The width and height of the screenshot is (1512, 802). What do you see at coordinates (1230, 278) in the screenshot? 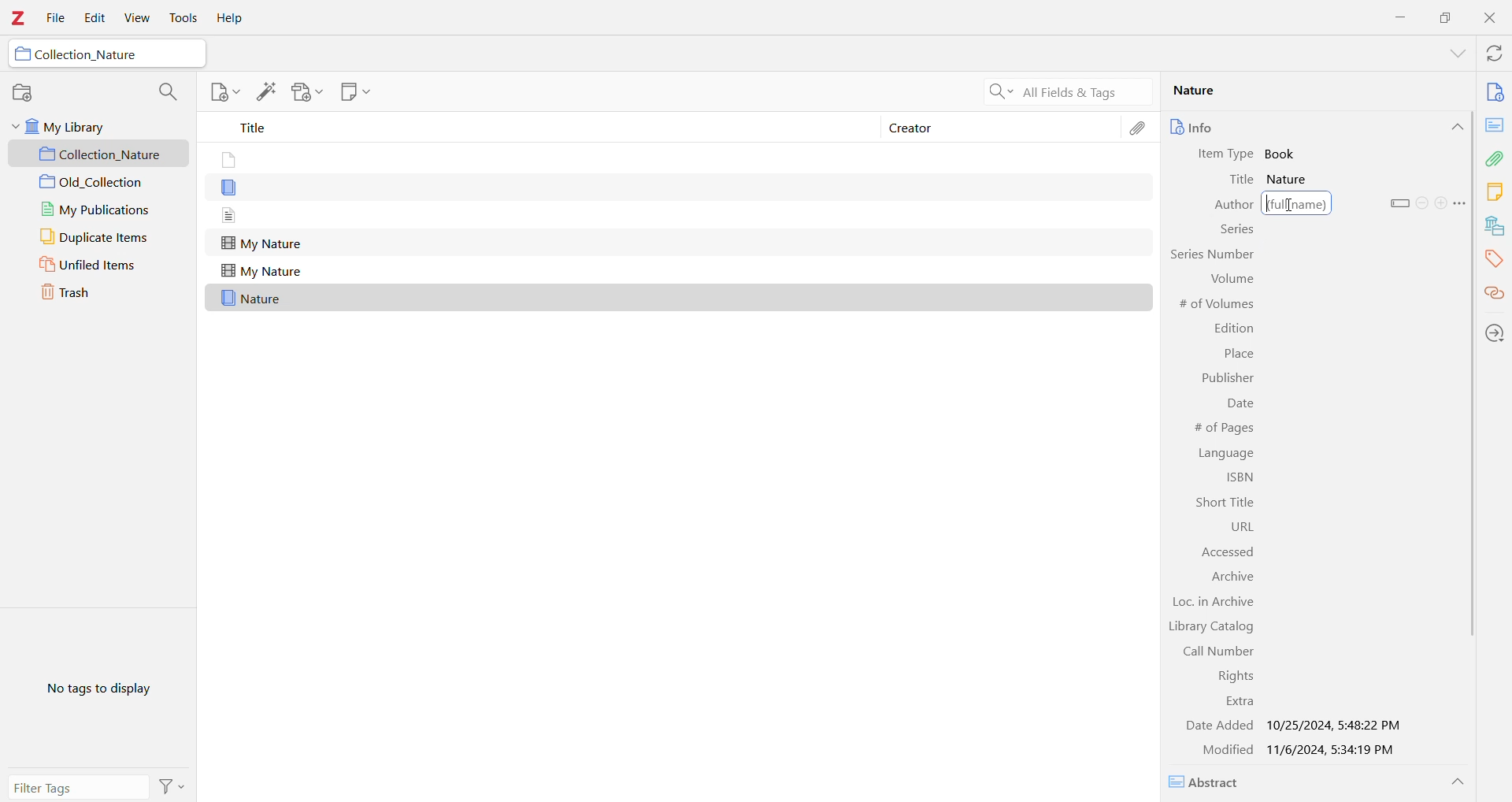
I see `Volume` at bounding box center [1230, 278].